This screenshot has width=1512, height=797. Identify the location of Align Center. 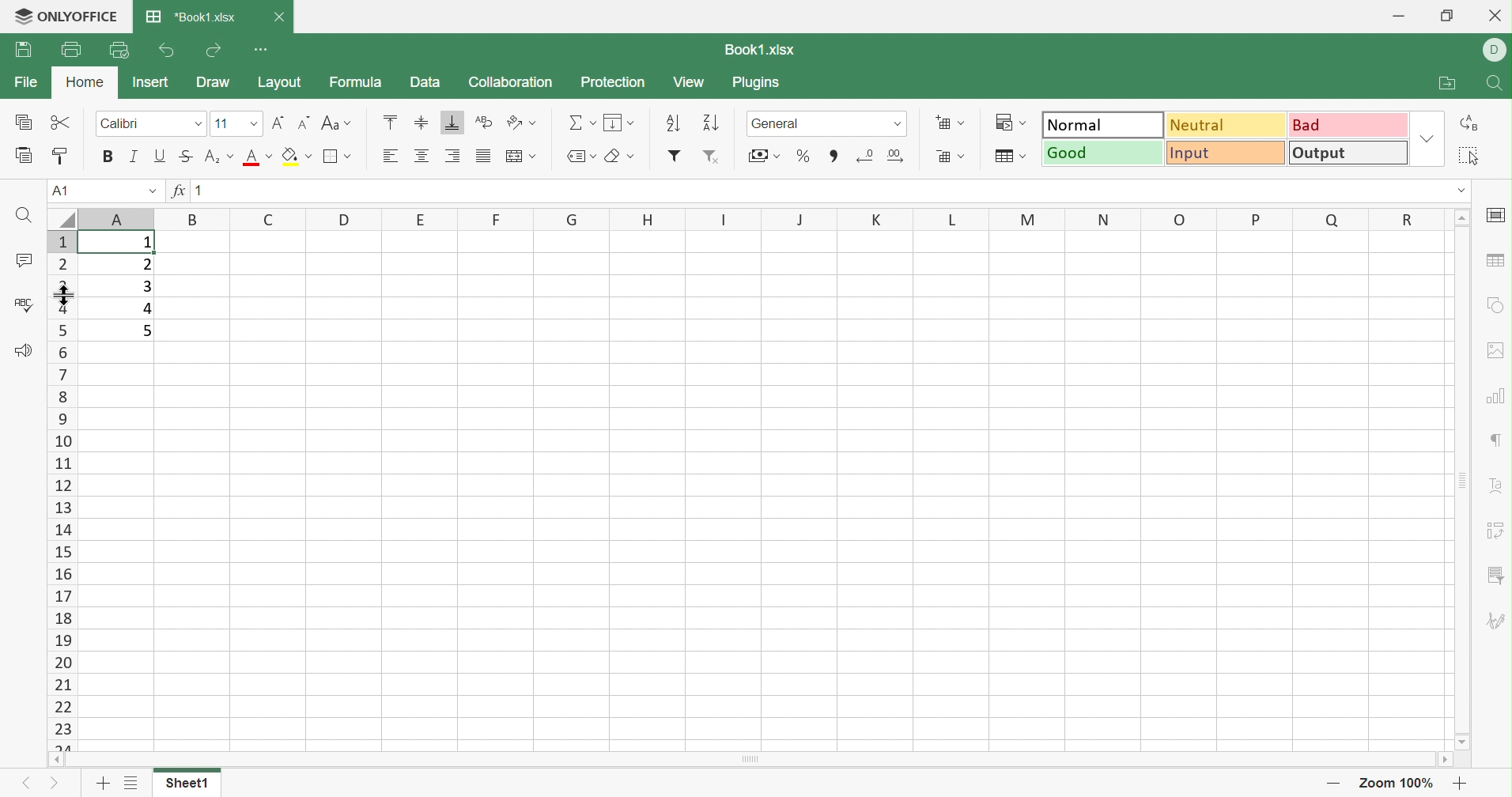
(424, 155).